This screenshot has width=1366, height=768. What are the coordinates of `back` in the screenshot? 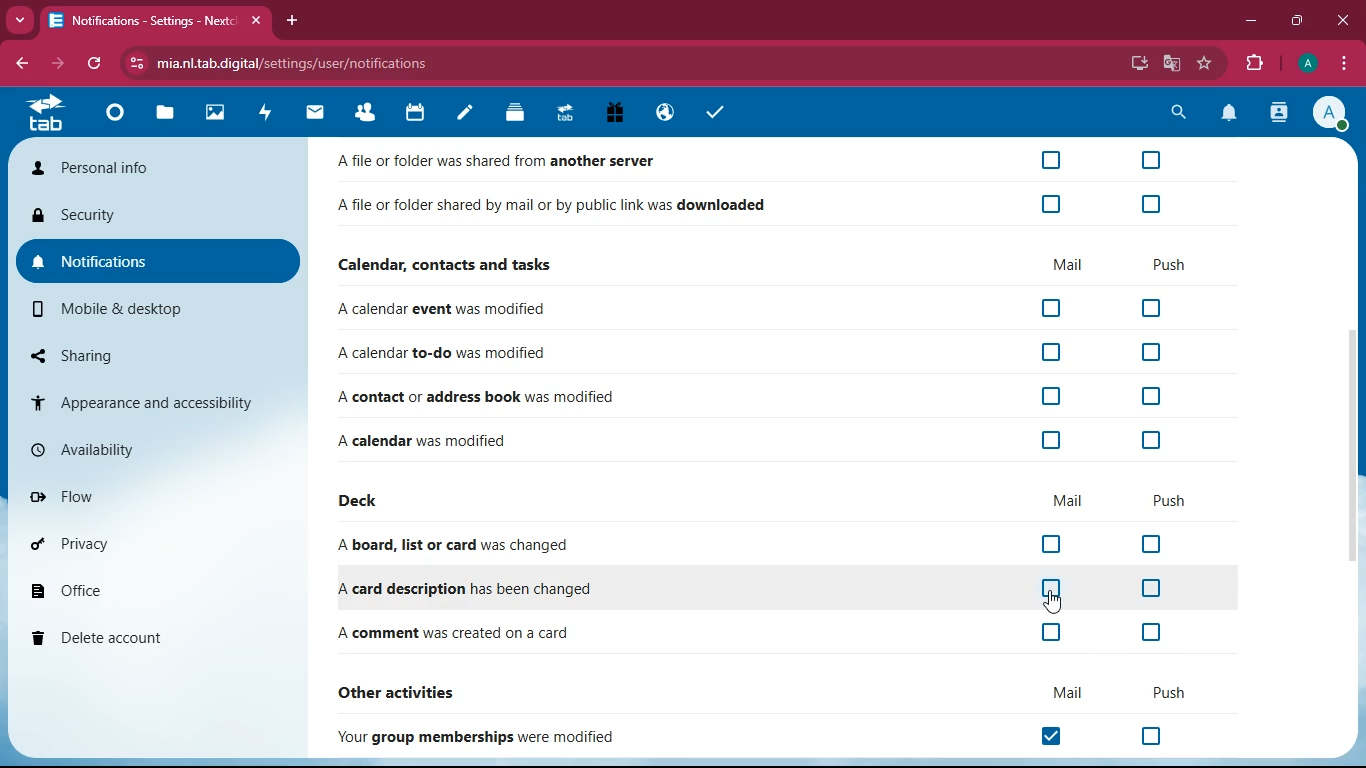 It's located at (19, 63).